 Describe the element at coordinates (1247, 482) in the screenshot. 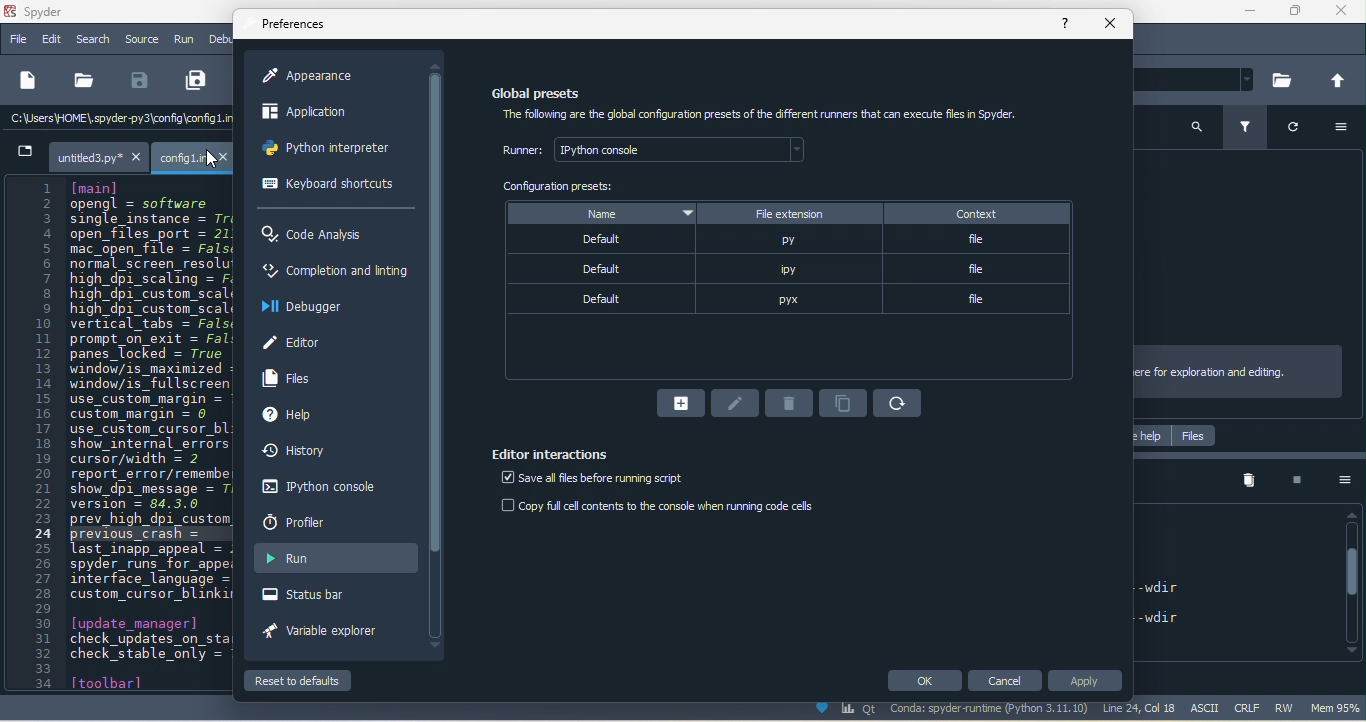

I see `remove all` at that location.